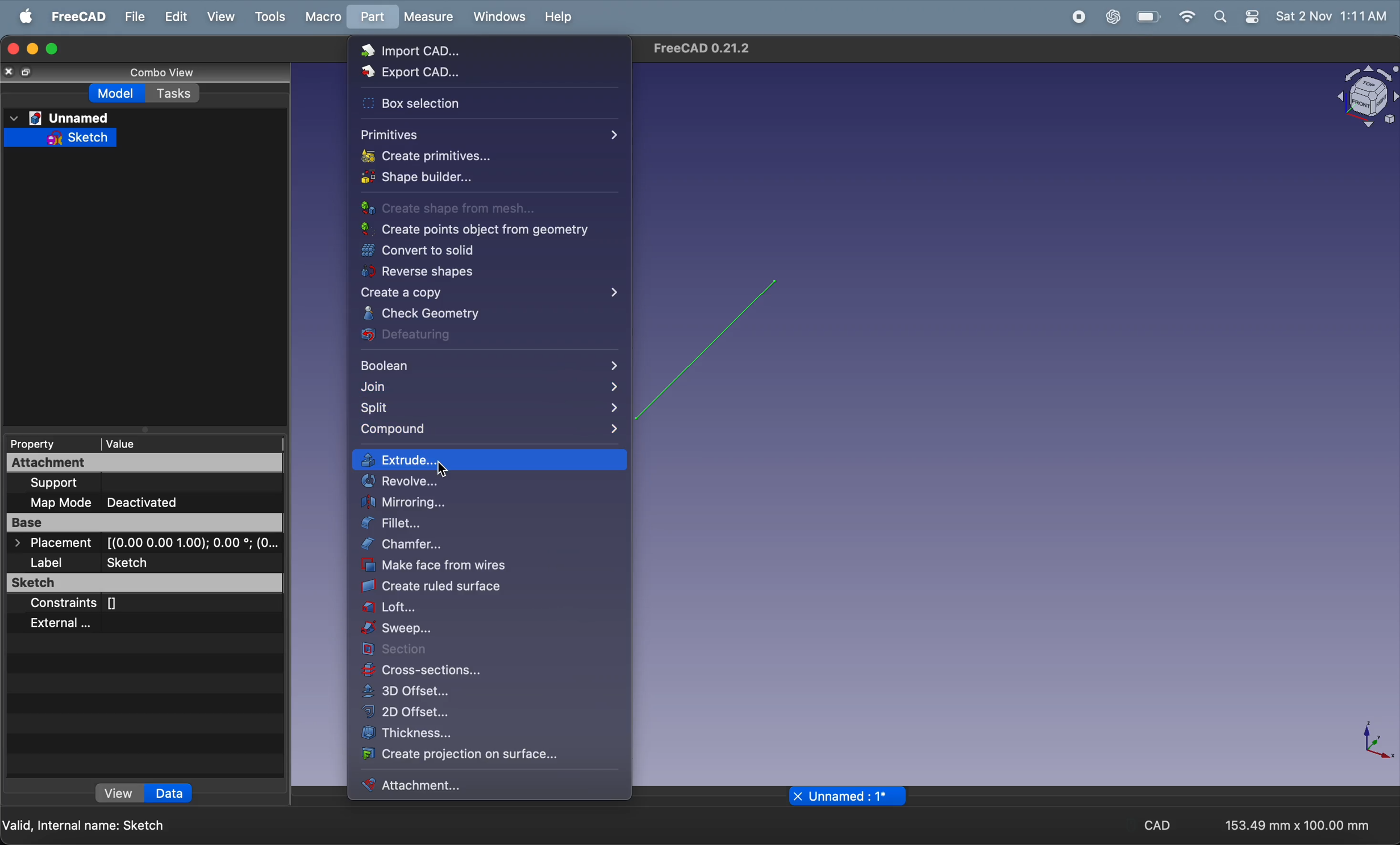  What do you see at coordinates (494, 544) in the screenshot?
I see `chamfer...` at bounding box center [494, 544].